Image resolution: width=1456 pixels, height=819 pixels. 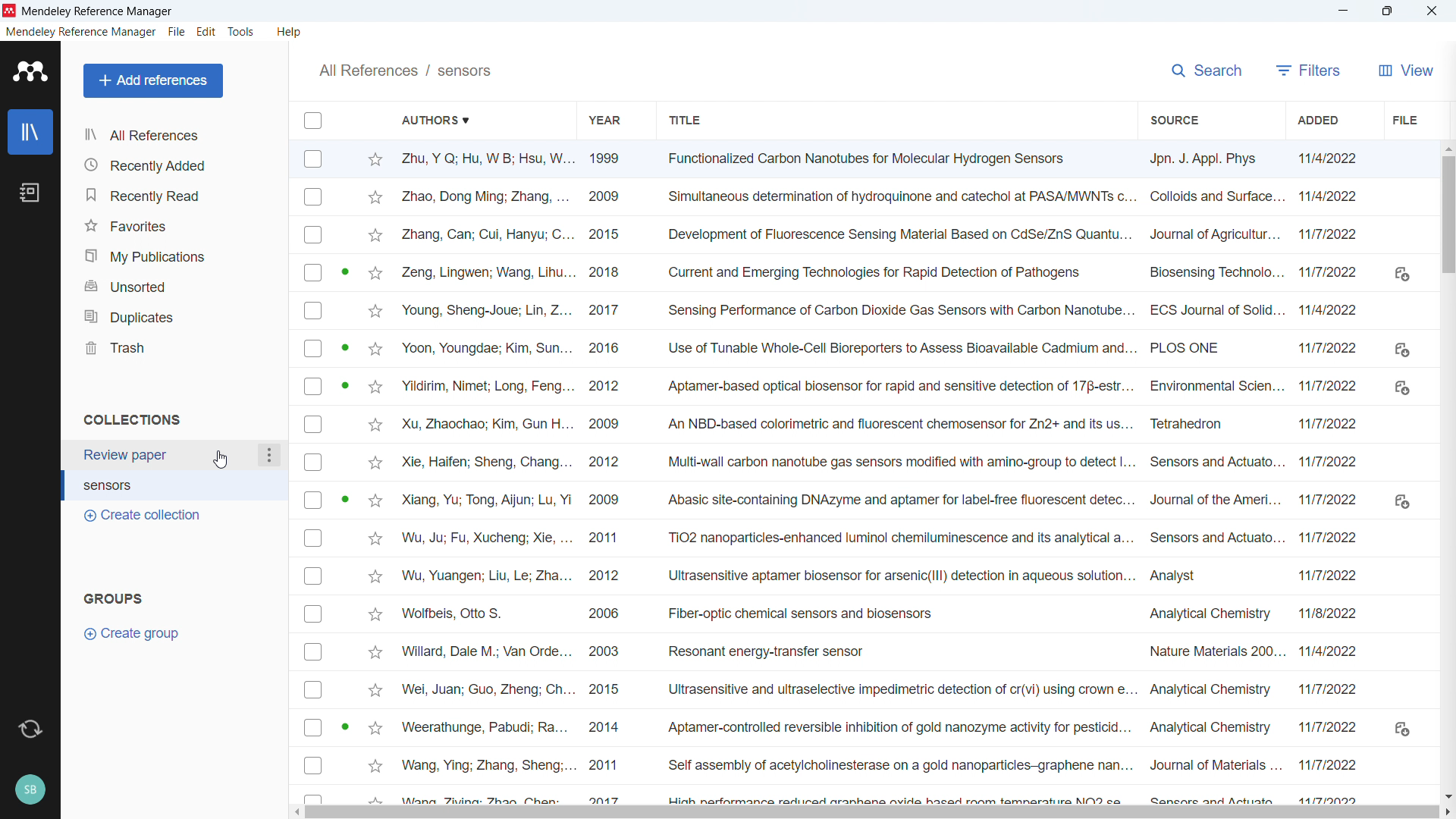 I want to click on sync , so click(x=31, y=729).